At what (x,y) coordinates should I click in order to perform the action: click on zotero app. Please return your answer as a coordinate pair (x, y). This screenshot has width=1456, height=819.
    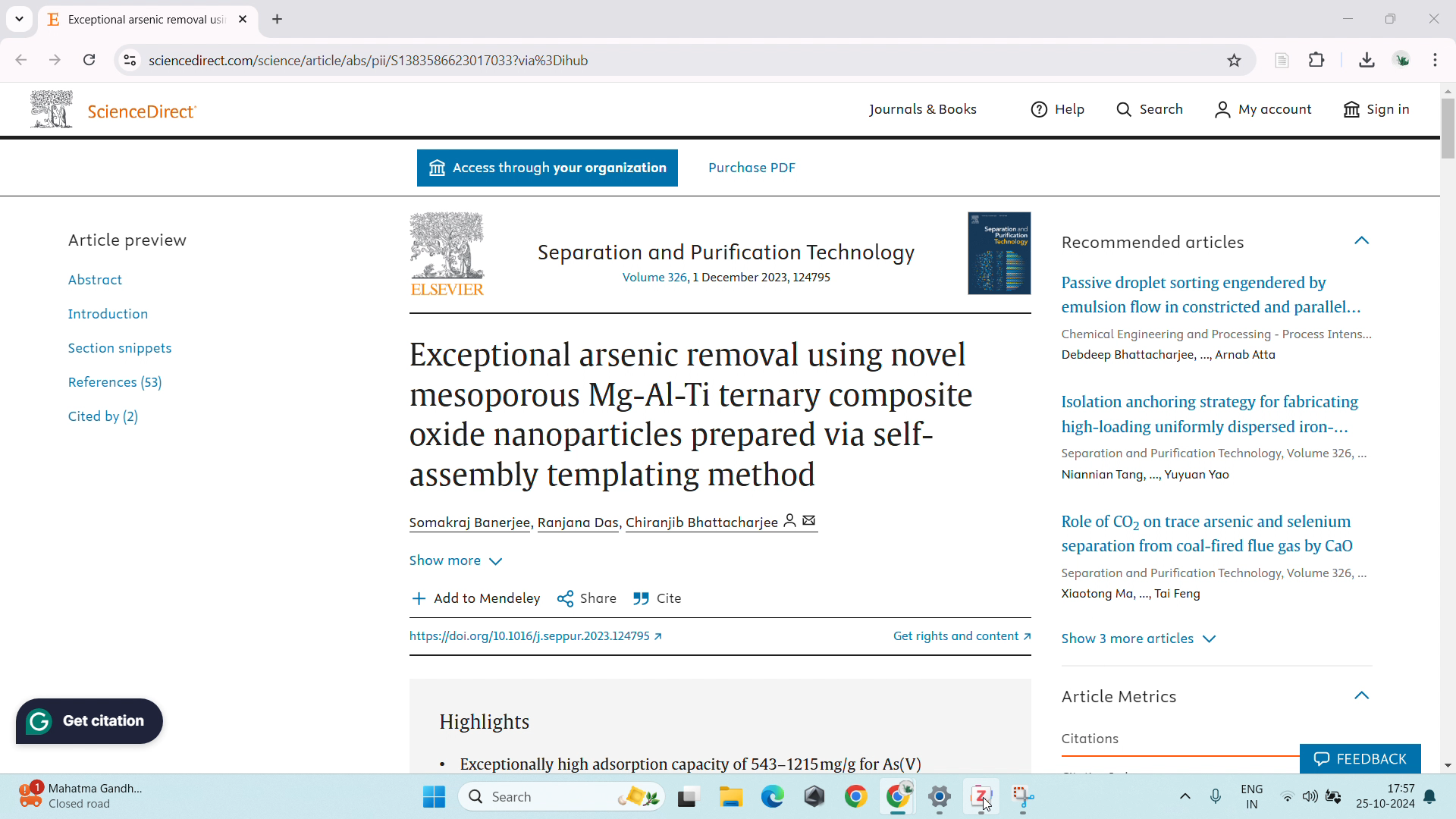
    Looking at the image, I should click on (978, 795).